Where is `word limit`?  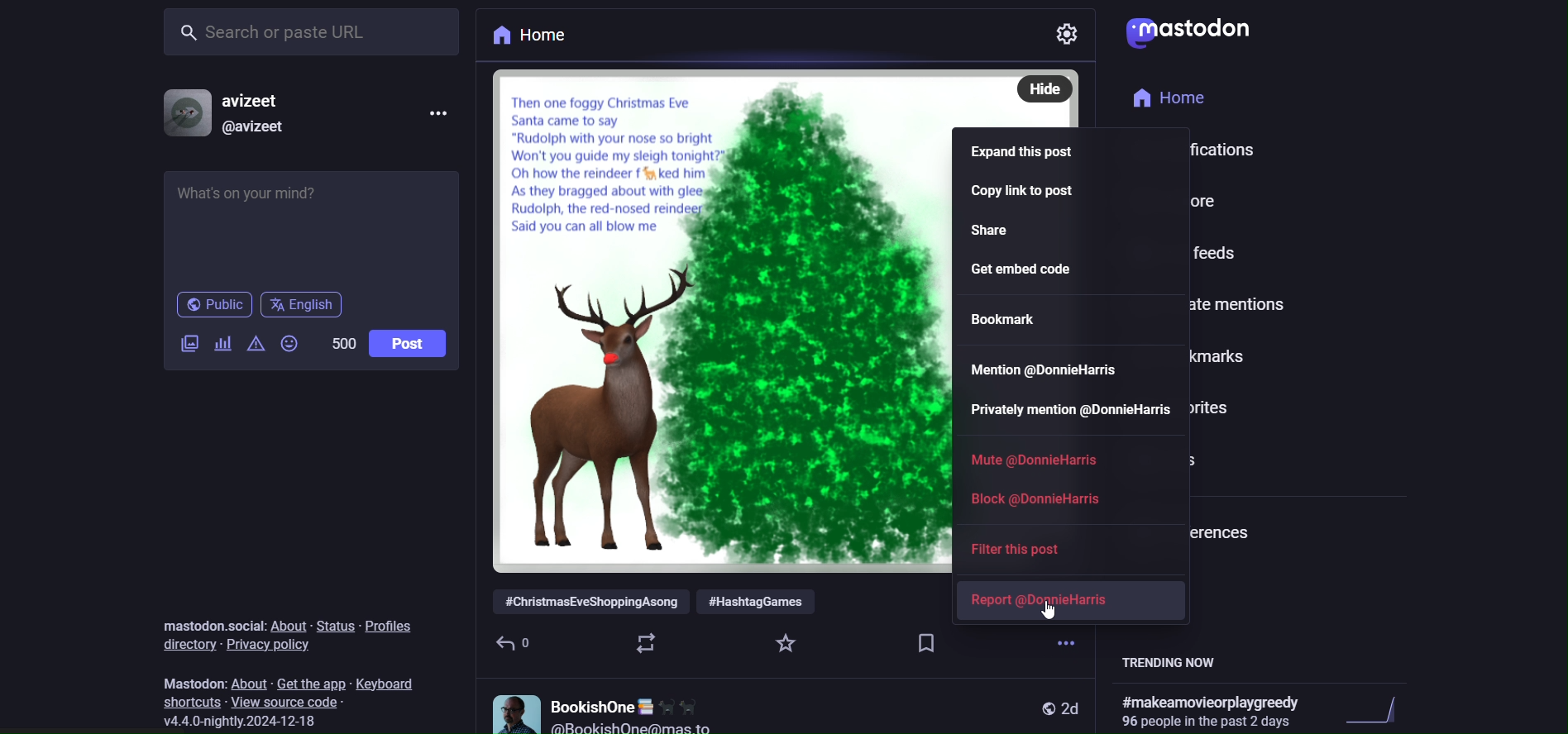
word limit is located at coordinates (343, 342).